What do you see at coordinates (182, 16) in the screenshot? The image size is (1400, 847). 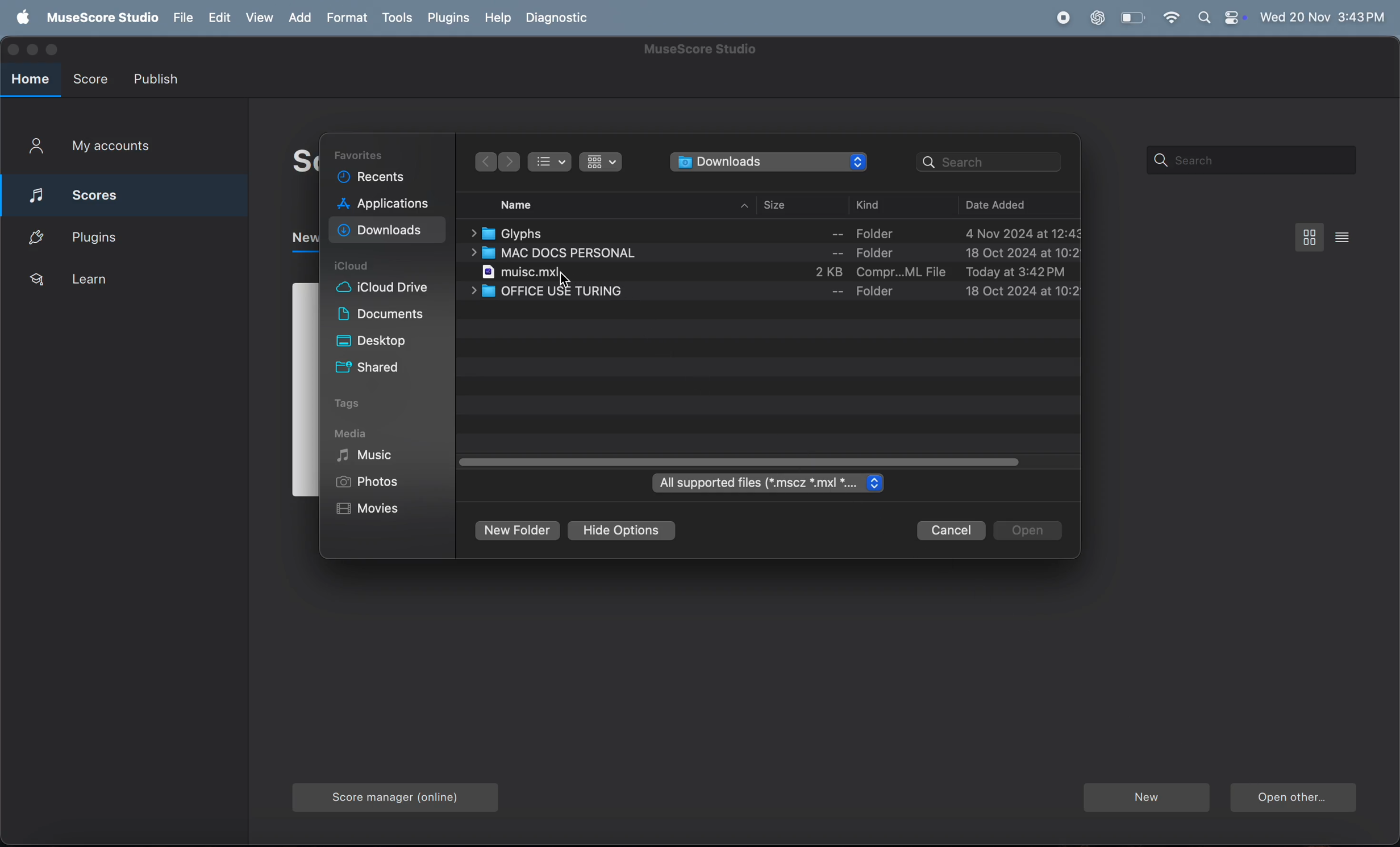 I see `file` at bounding box center [182, 16].